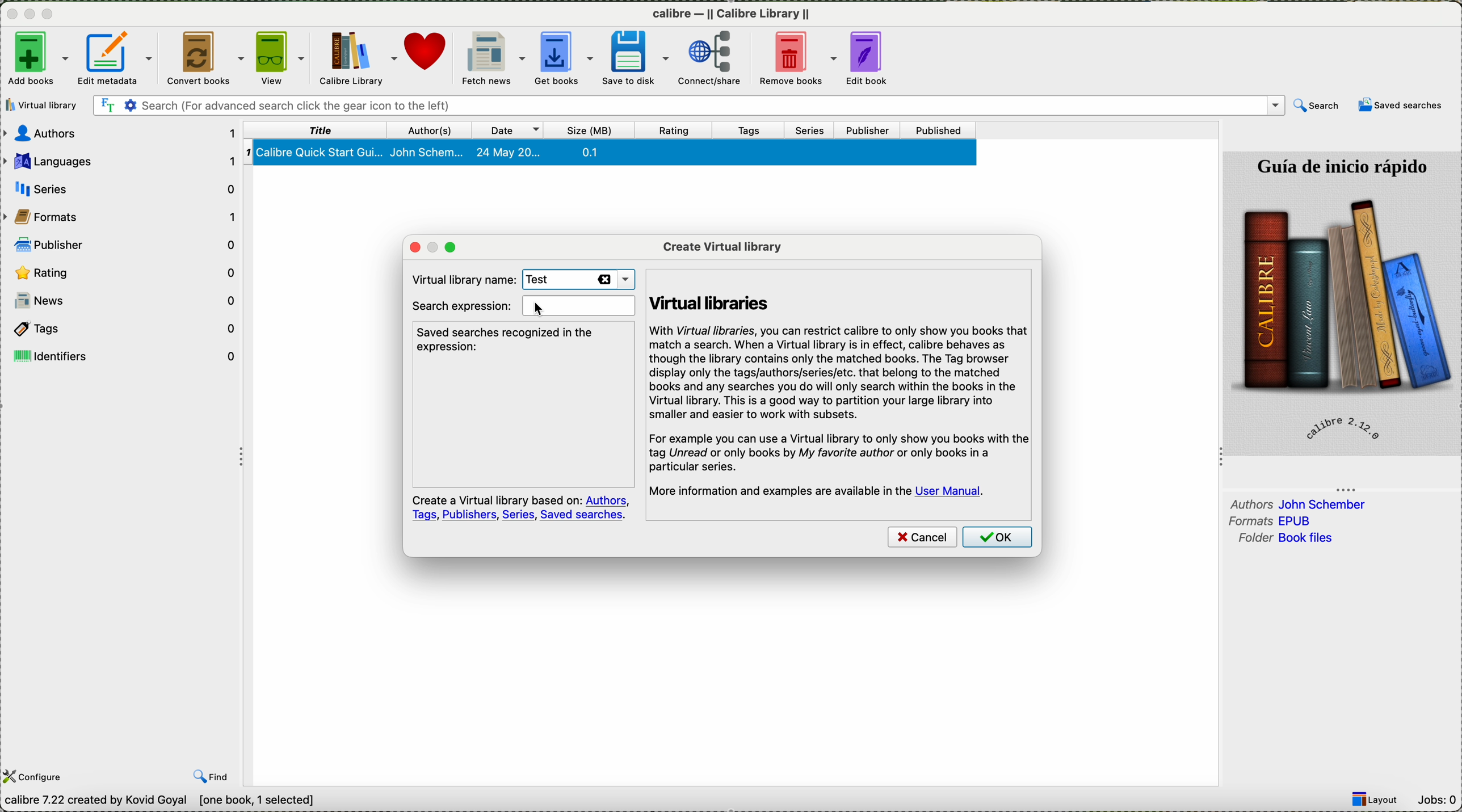 This screenshot has height=812, width=1462. I want to click on authors, so click(123, 135).